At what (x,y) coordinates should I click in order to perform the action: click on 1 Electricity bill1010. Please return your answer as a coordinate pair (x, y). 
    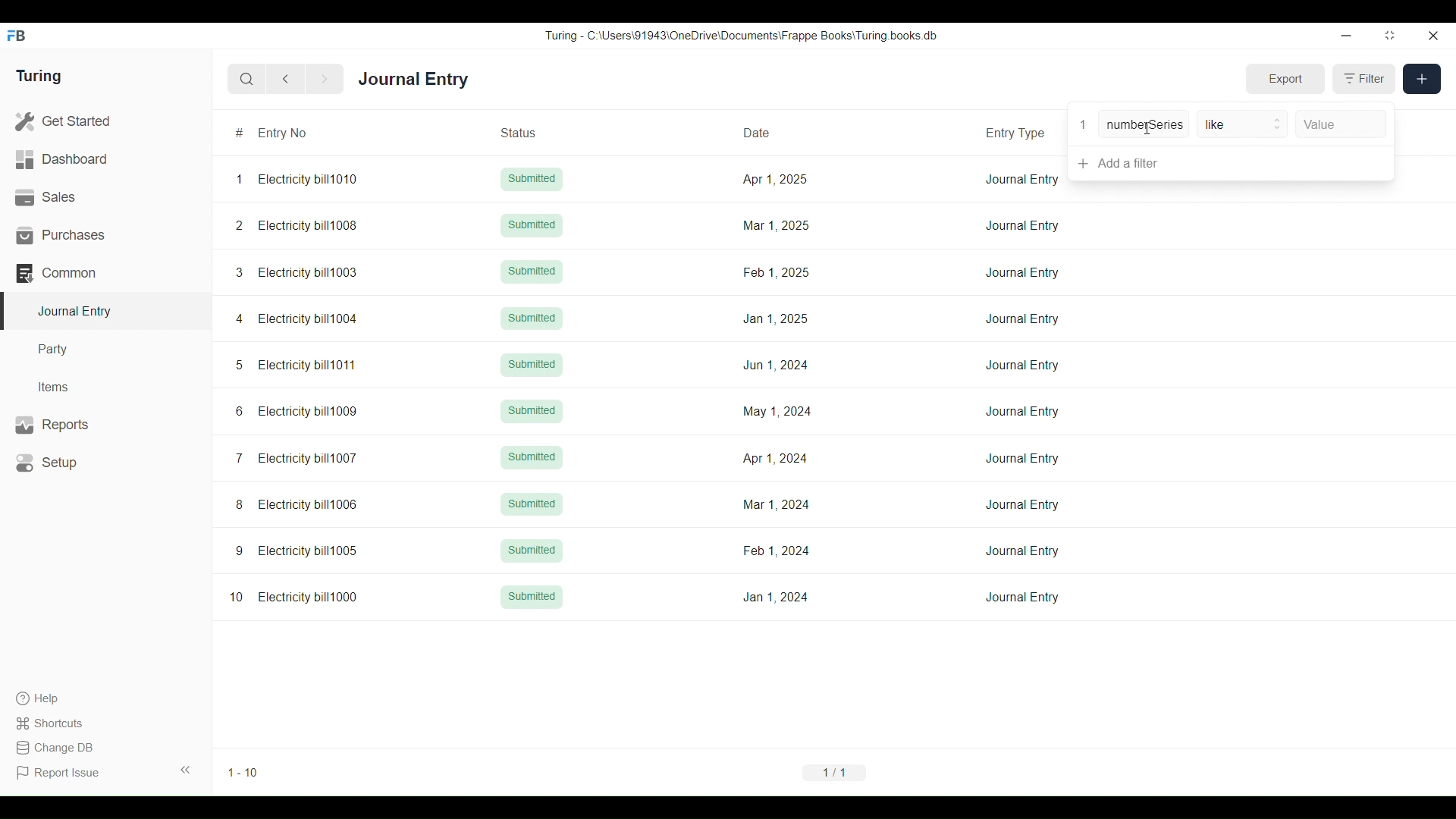
    Looking at the image, I should click on (297, 179).